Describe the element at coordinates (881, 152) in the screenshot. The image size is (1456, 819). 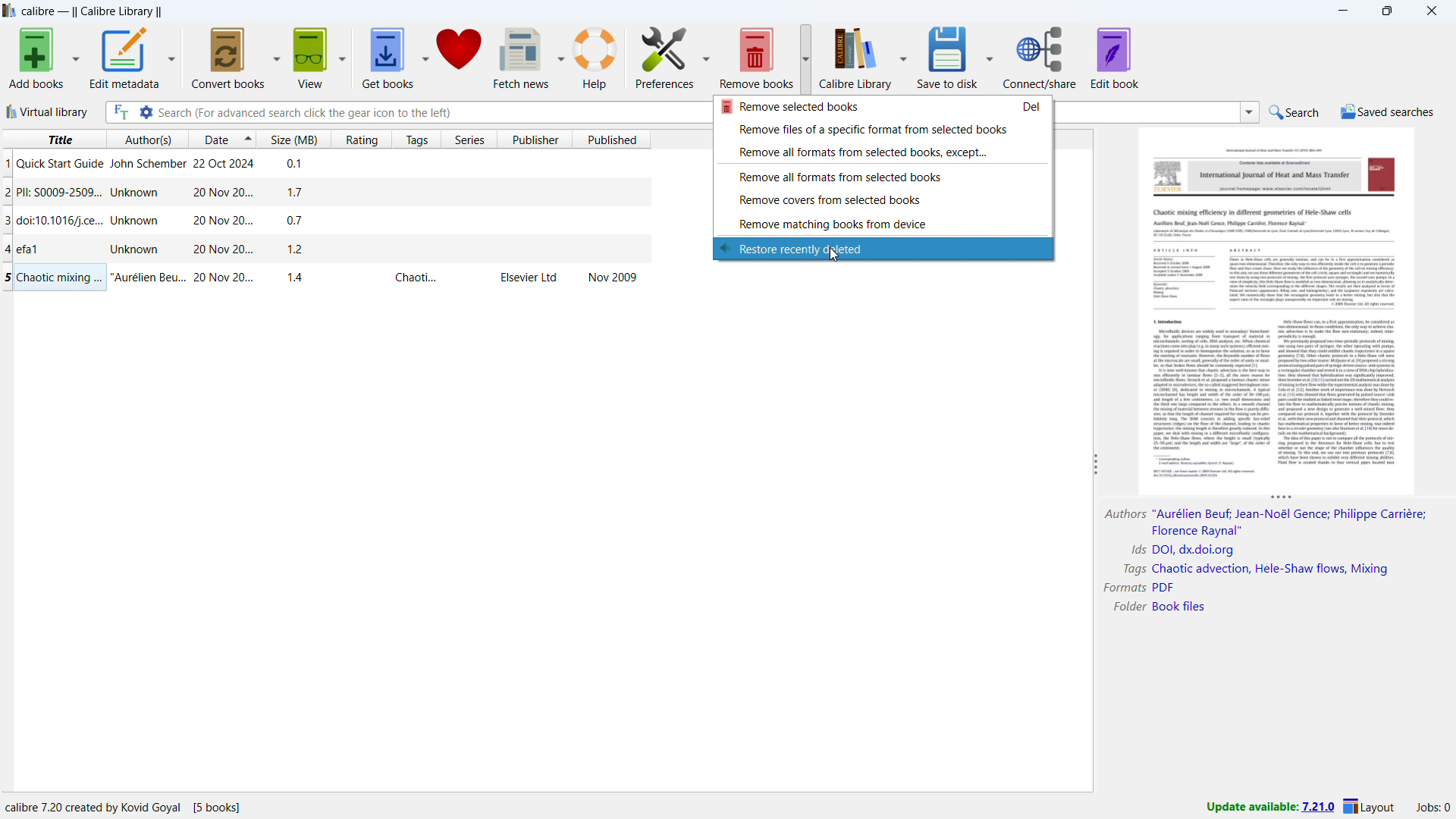
I see `remove all formats from selected books, except` at that location.